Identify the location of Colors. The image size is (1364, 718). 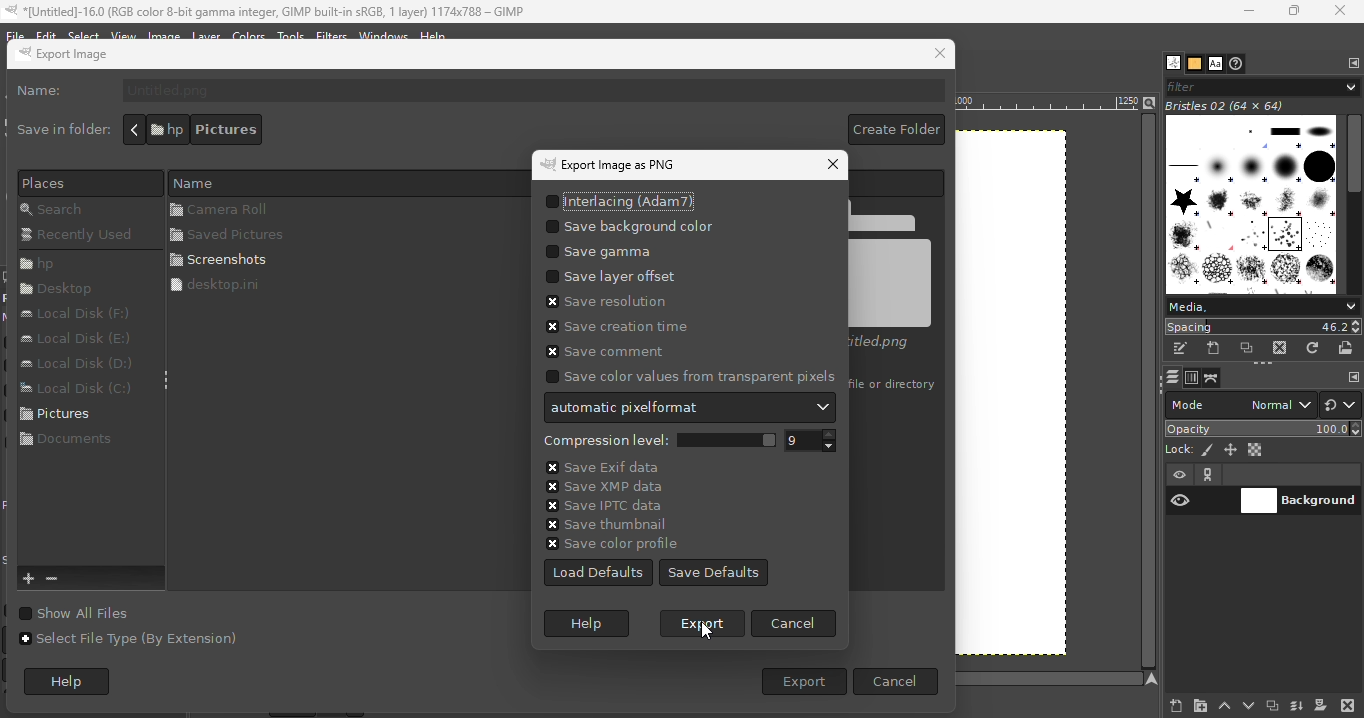
(249, 35).